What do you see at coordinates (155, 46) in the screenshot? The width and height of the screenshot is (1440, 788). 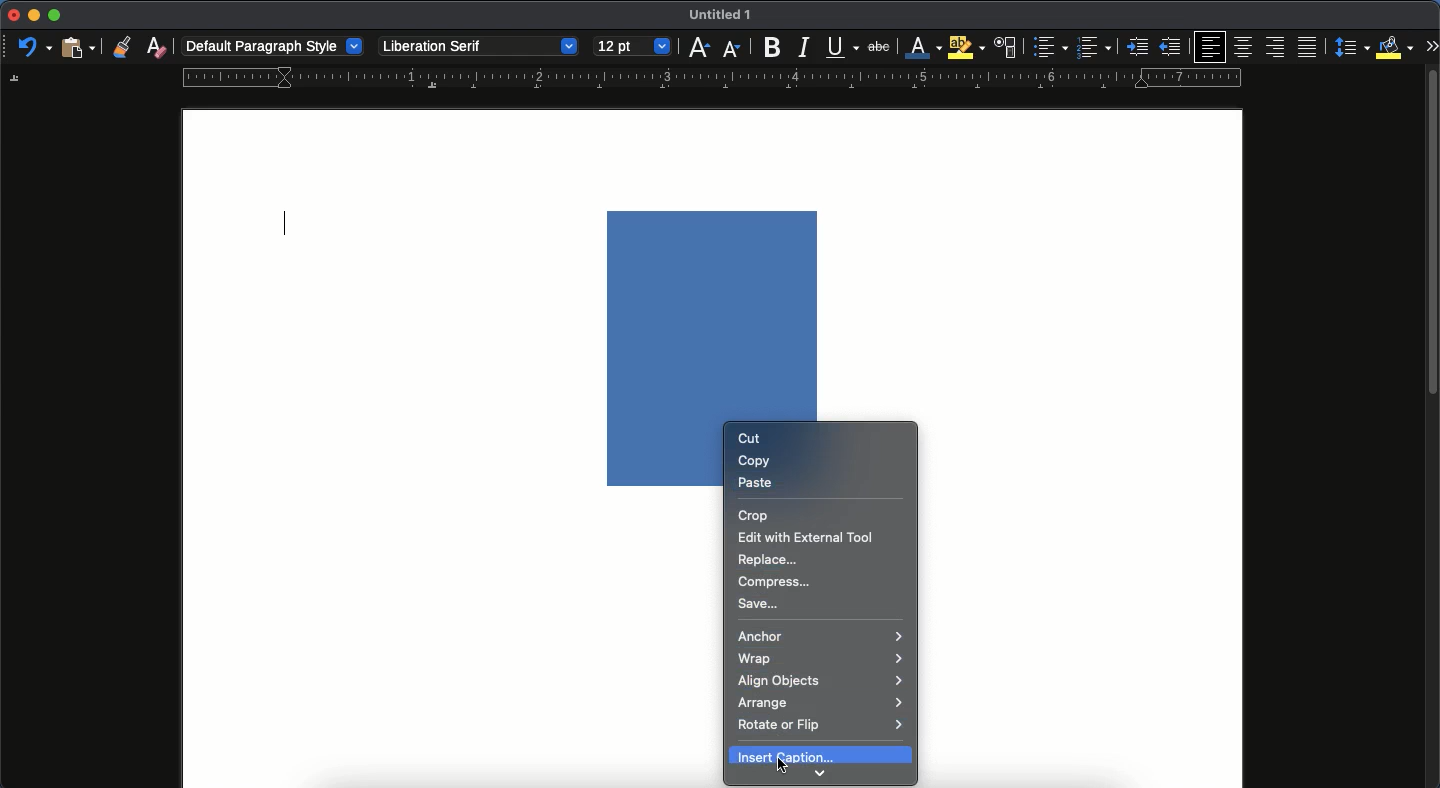 I see `clear formatting` at bounding box center [155, 46].